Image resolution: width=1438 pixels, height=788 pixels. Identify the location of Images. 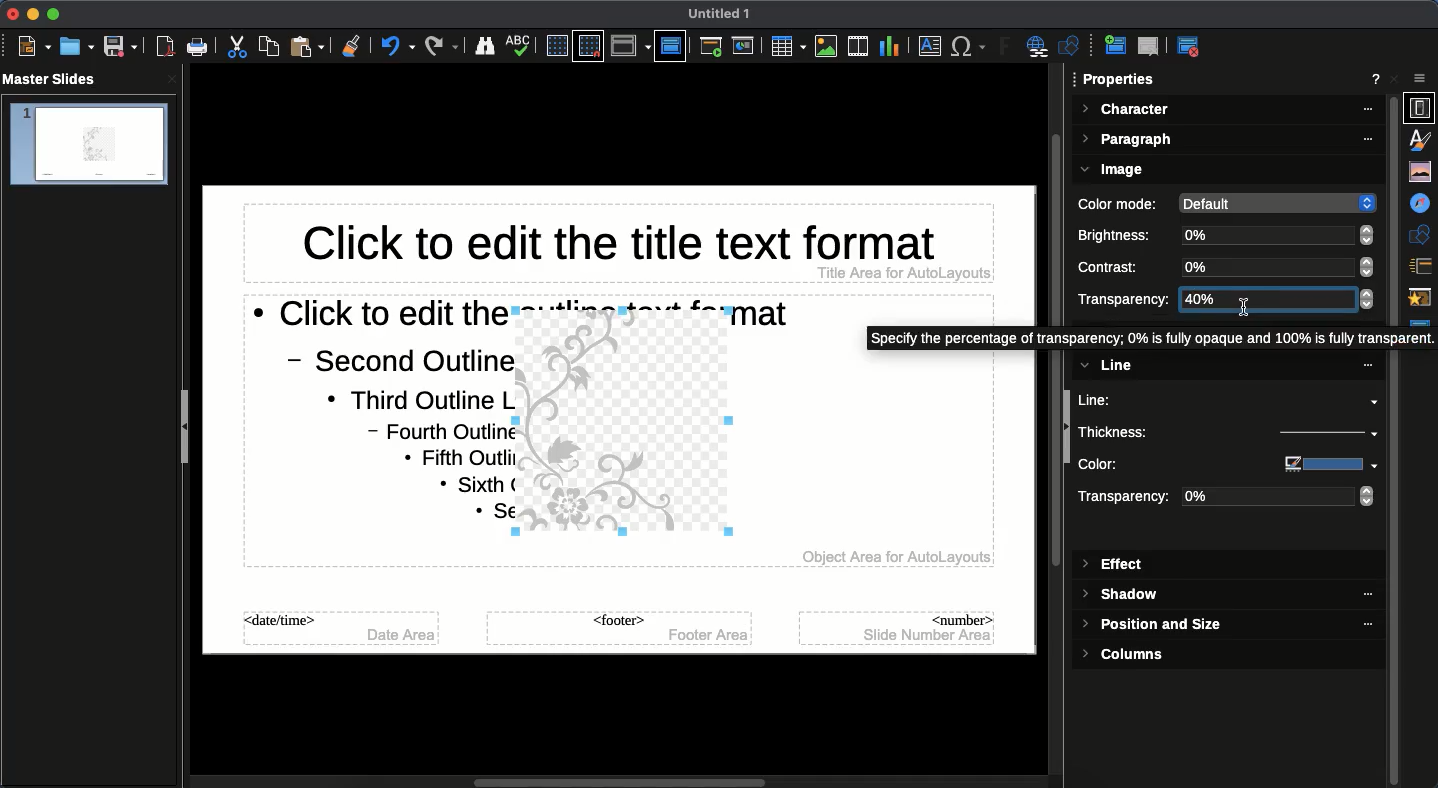
(826, 46).